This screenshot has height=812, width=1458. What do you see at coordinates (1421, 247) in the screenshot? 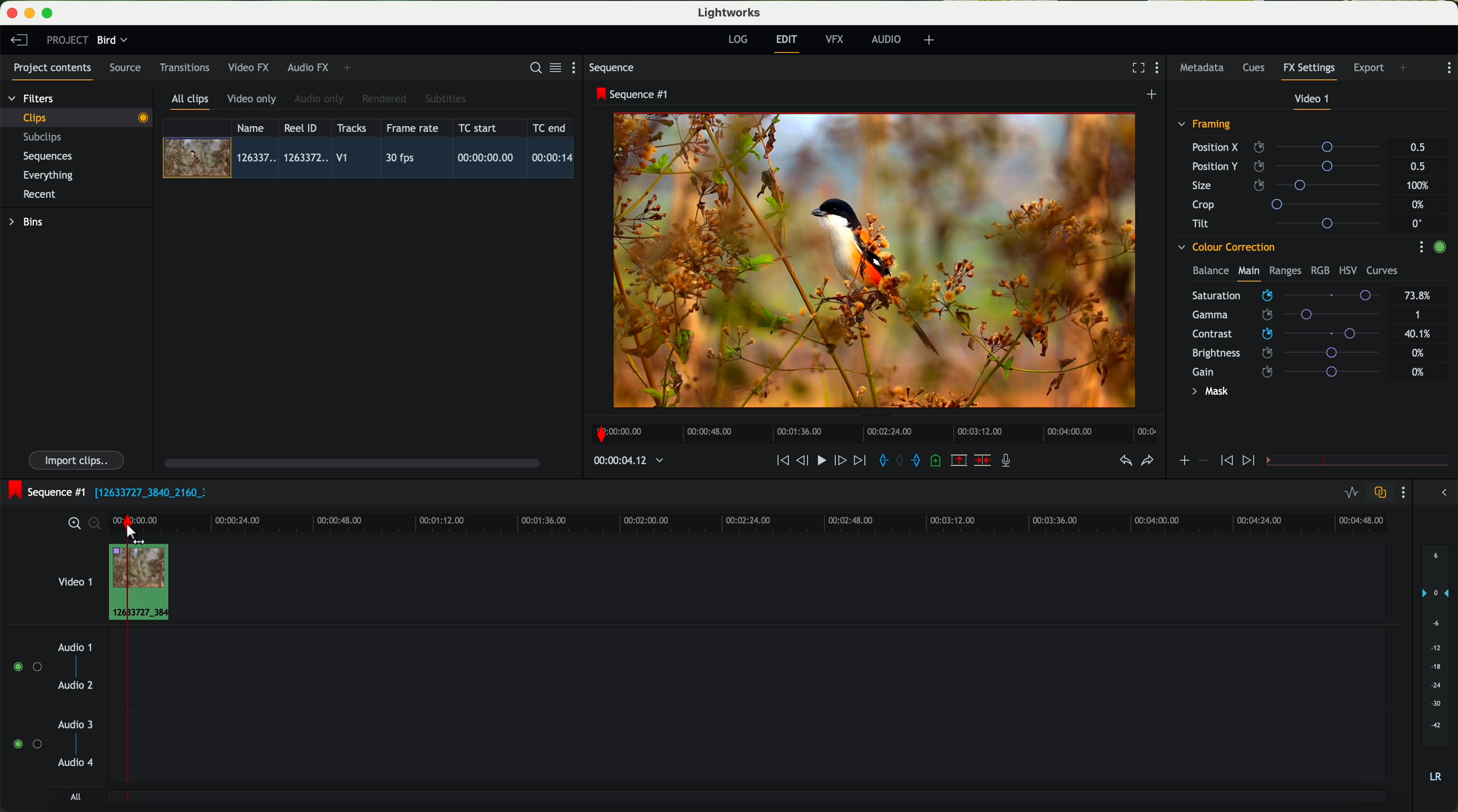
I see `show settings menu` at bounding box center [1421, 247].